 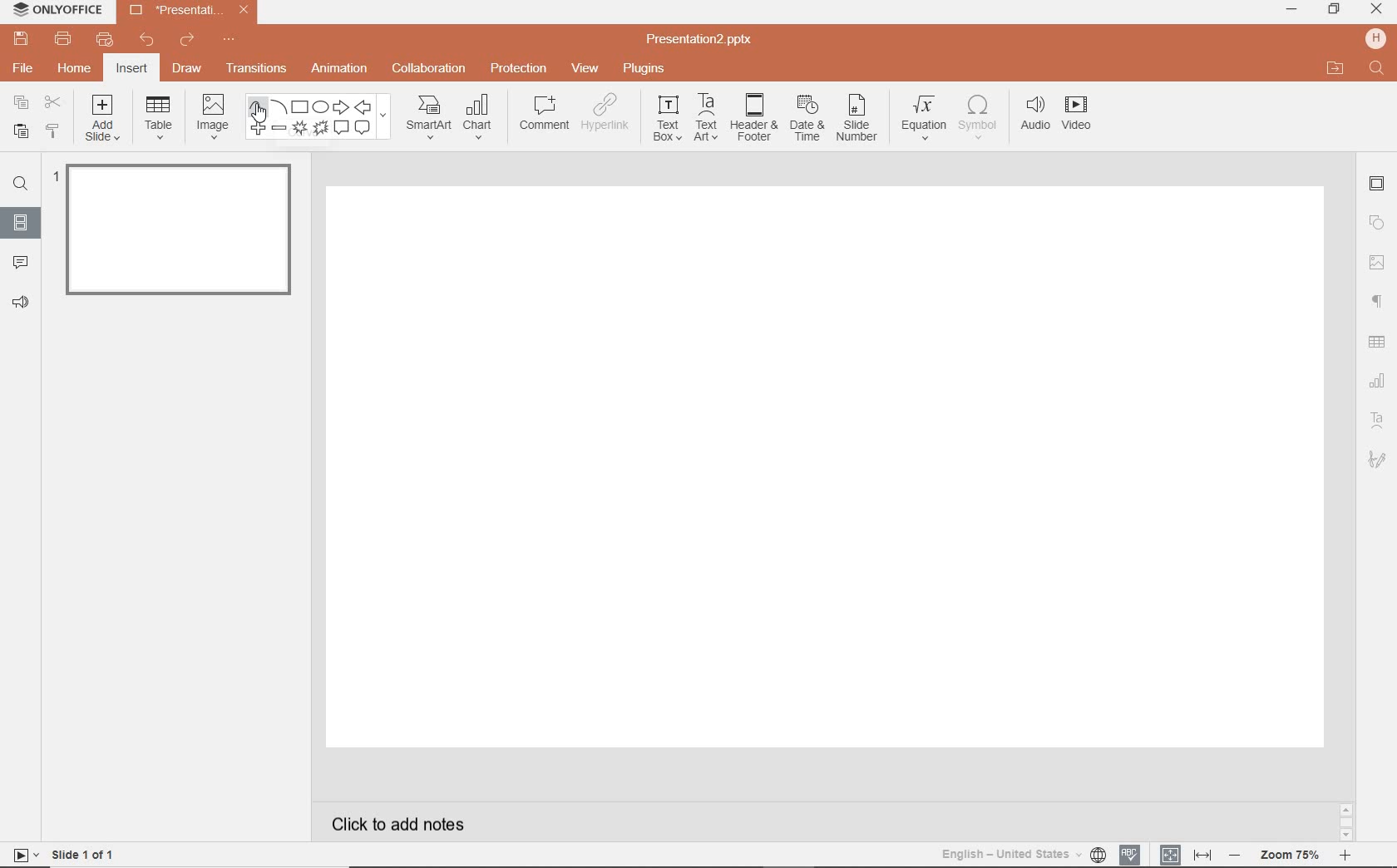 I want to click on VIEW, so click(x=585, y=67).